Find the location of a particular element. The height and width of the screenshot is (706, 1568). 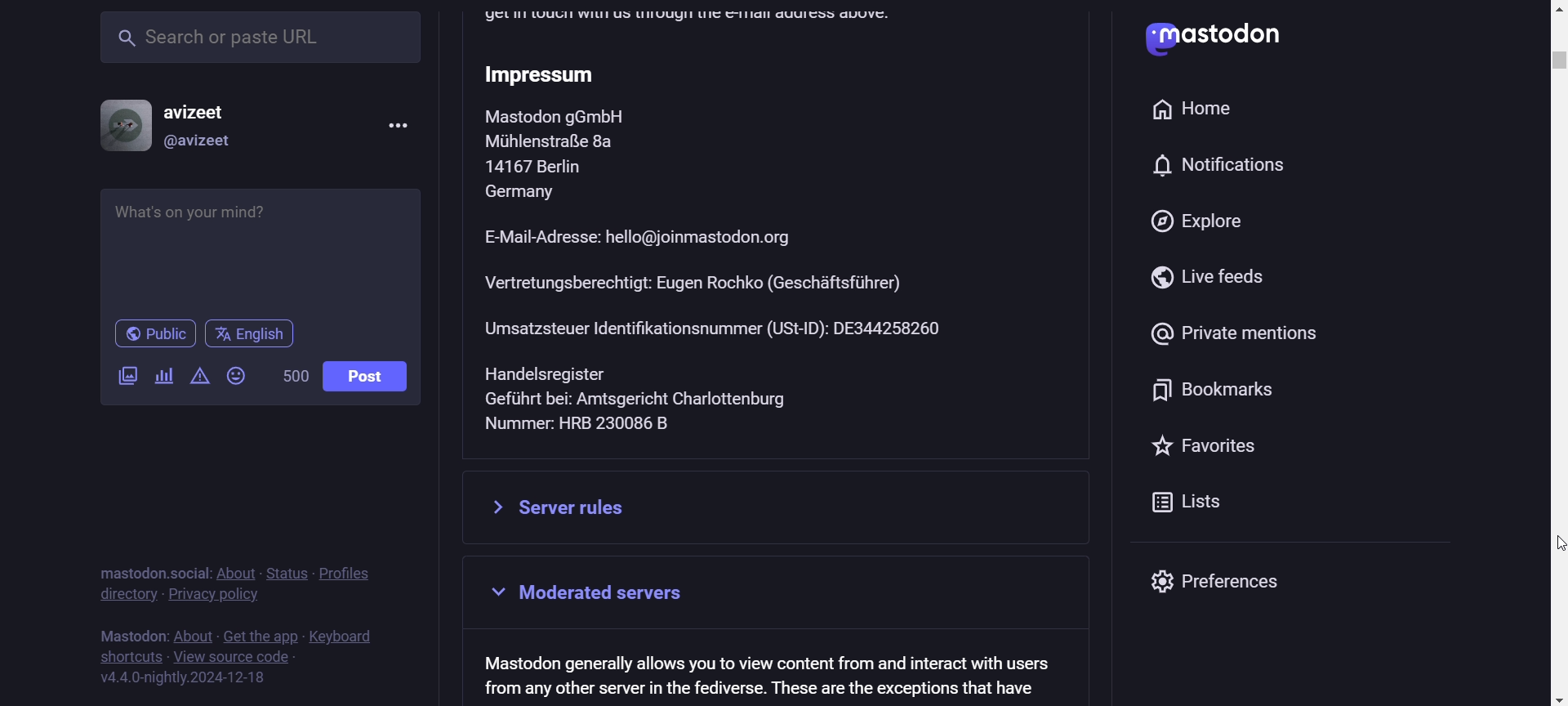

version is located at coordinates (184, 679).